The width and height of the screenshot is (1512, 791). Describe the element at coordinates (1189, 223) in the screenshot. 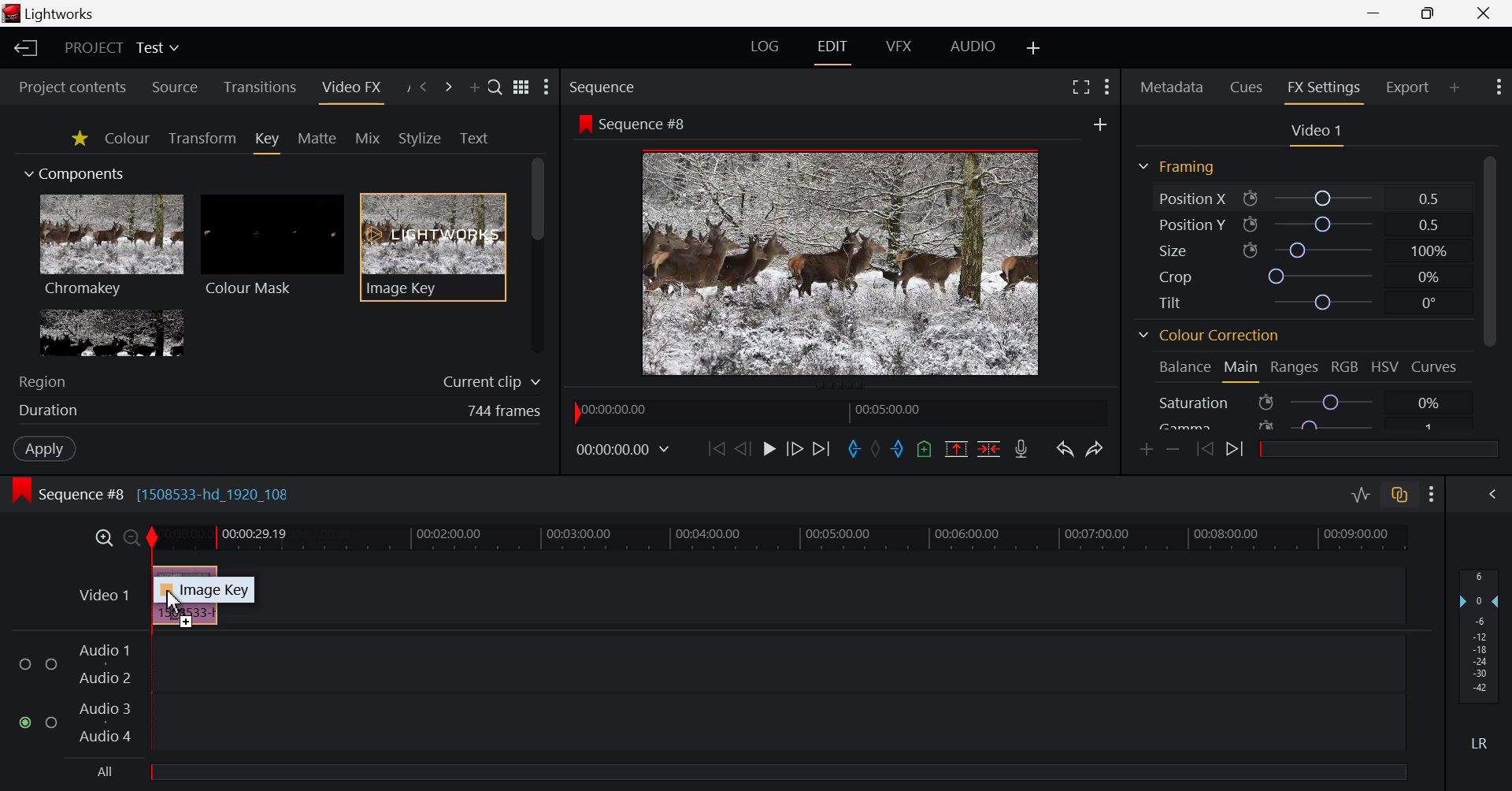

I see `Position Y` at that location.